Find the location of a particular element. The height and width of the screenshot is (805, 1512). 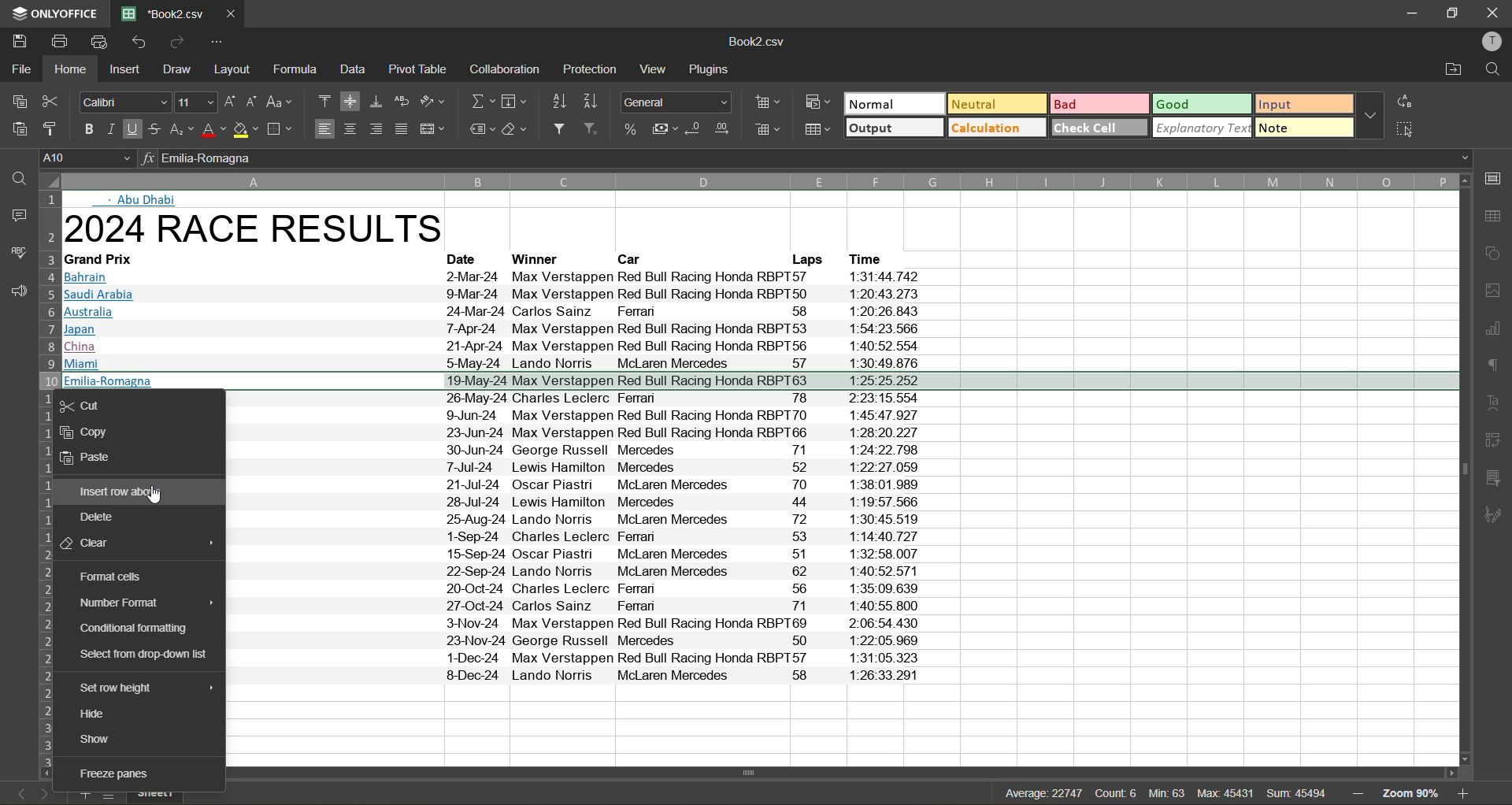

move right is located at coordinates (1451, 773).